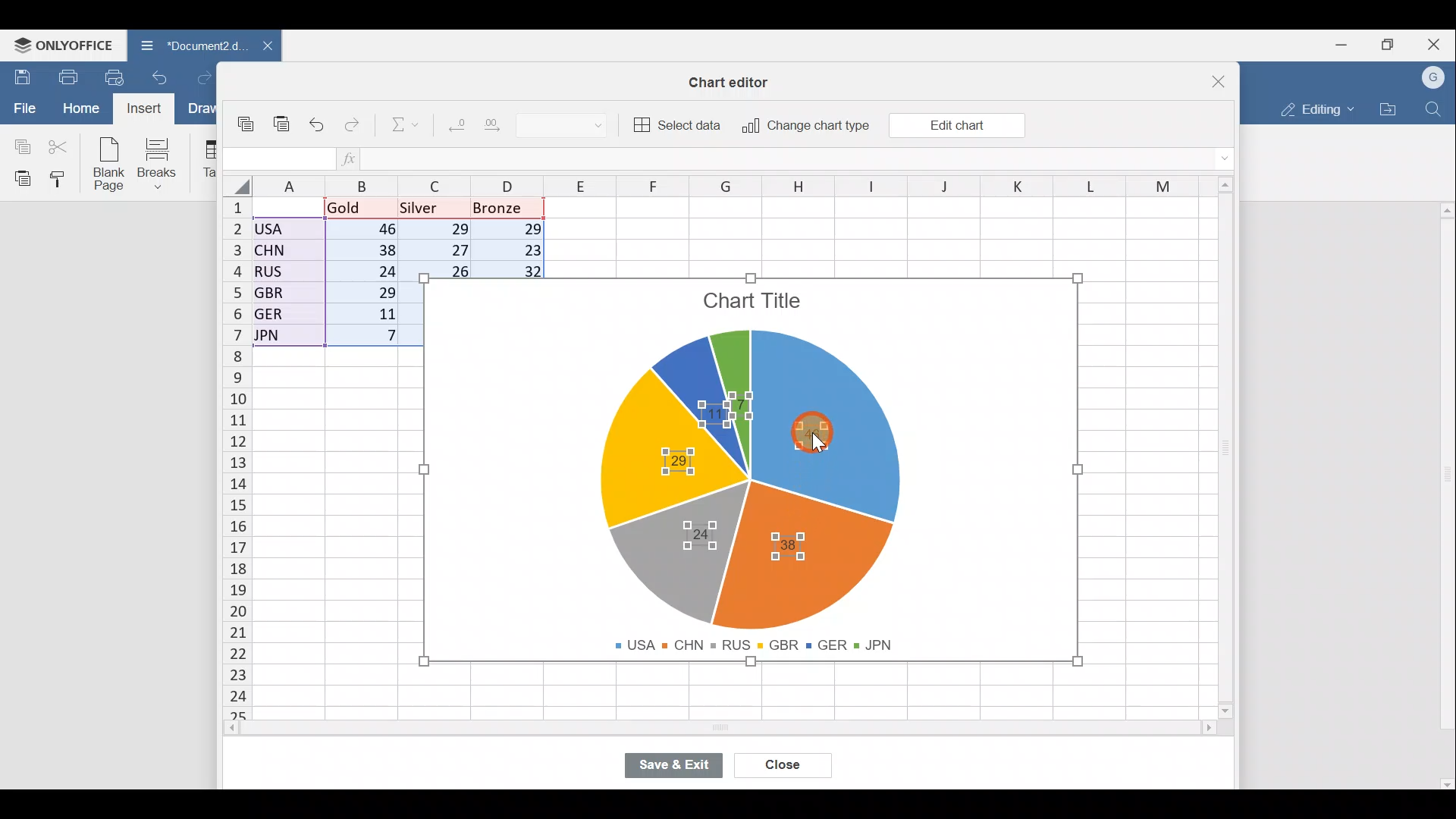 The height and width of the screenshot is (819, 1456). I want to click on Cell name, so click(277, 159).